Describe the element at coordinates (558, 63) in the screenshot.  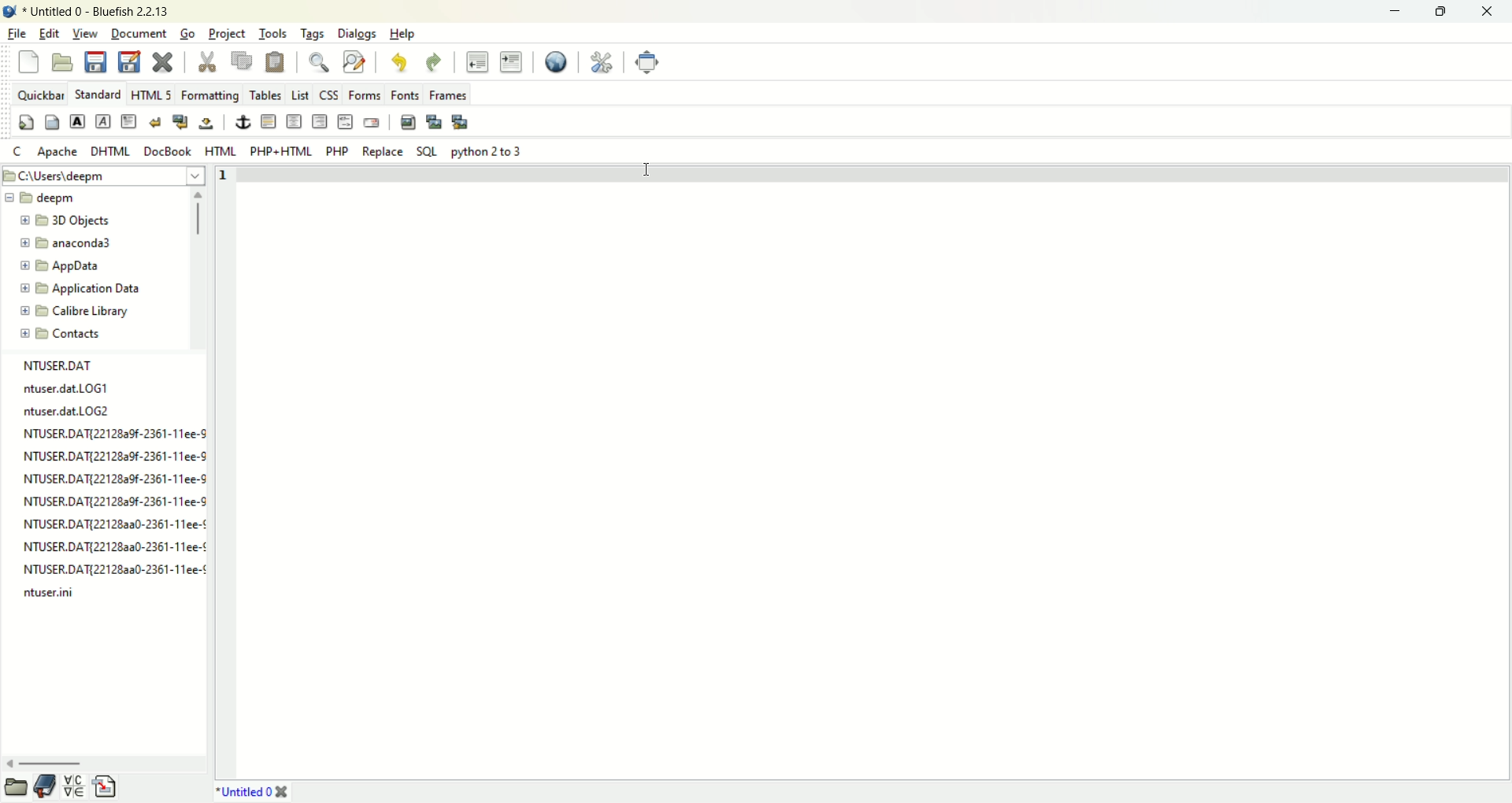
I see `view in browser` at that location.